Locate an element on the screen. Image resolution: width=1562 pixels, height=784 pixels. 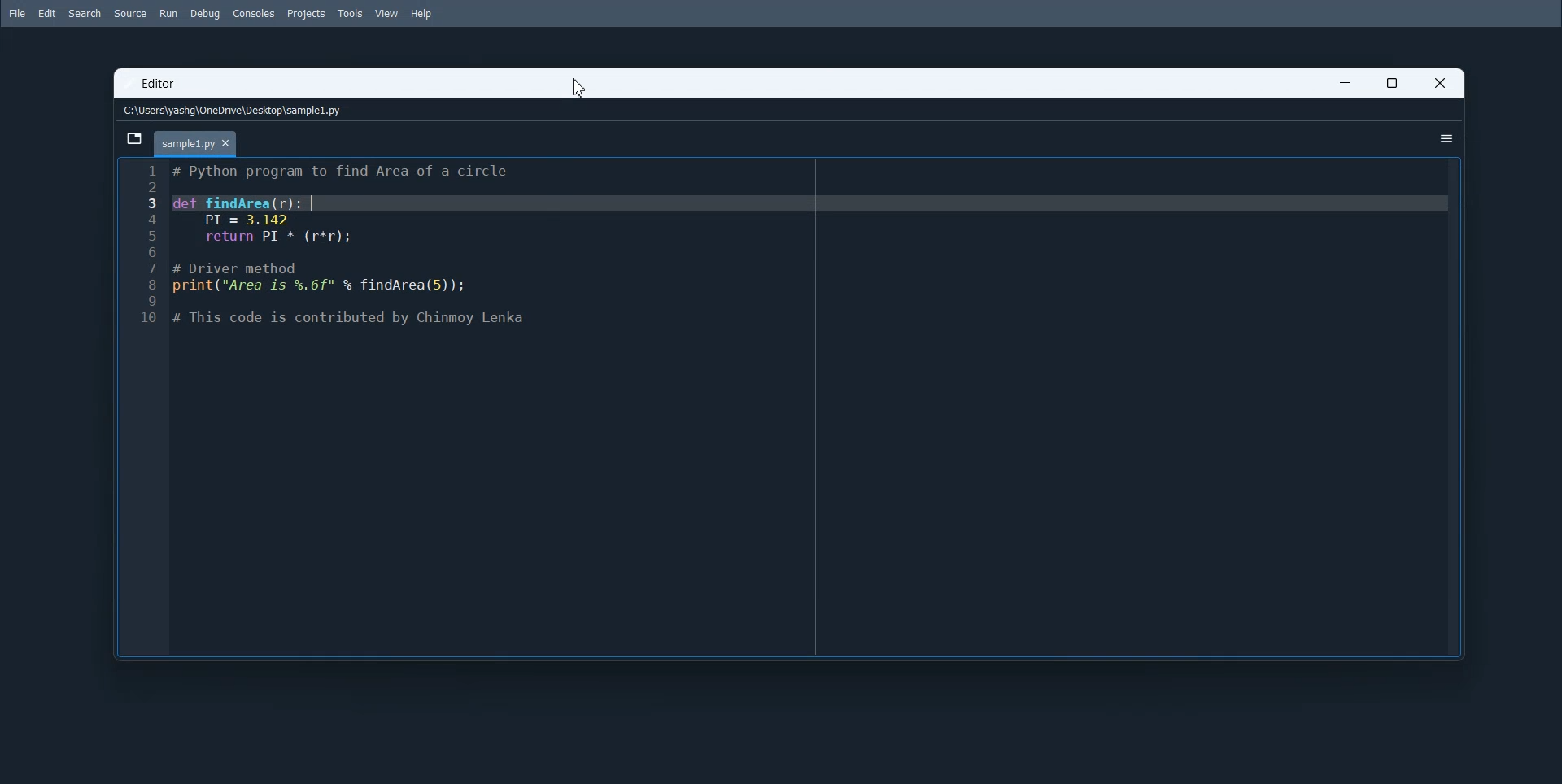
Tools is located at coordinates (351, 13).